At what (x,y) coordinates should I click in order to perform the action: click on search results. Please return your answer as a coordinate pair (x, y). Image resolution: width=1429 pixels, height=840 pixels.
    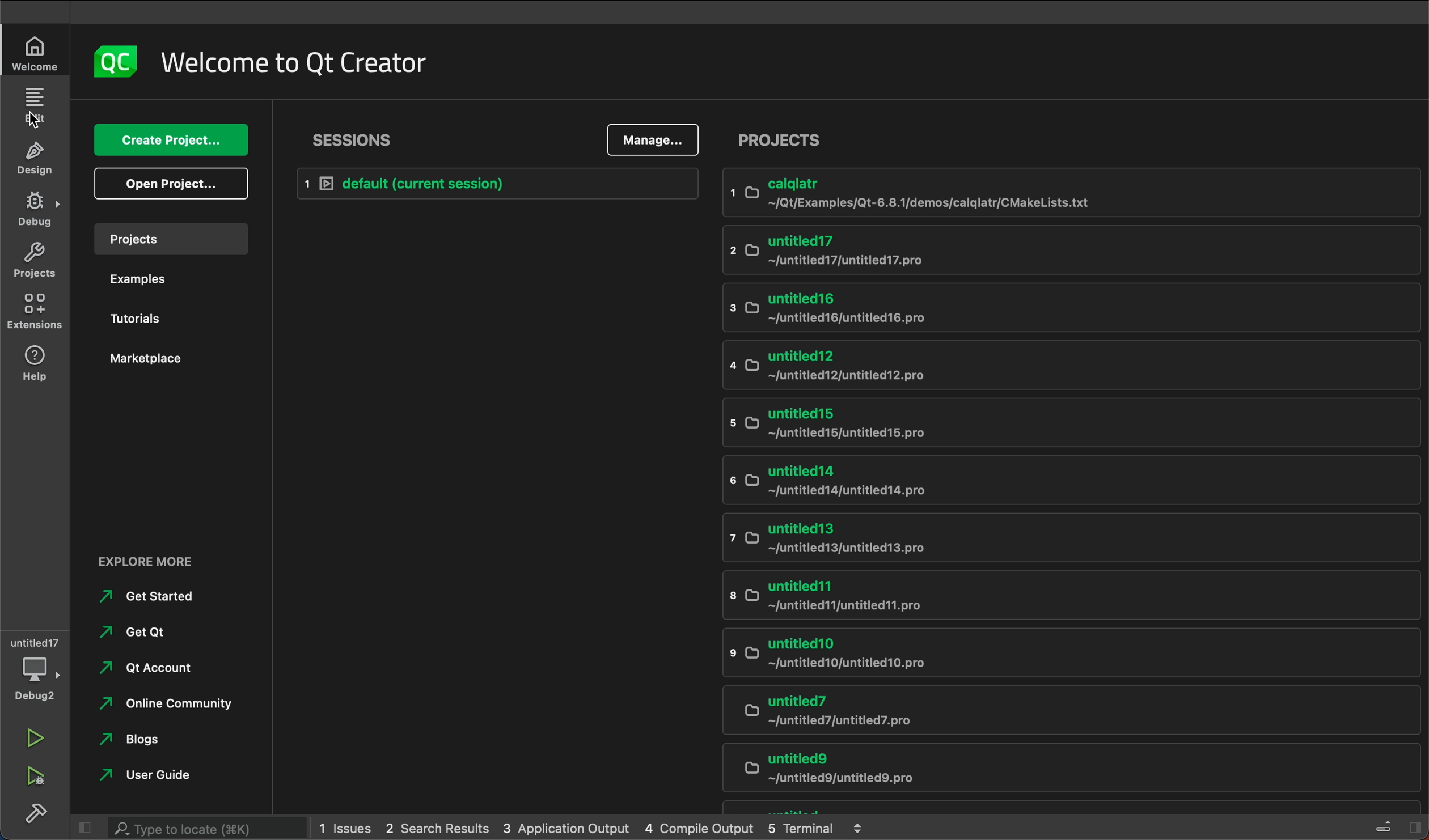
    Looking at the image, I should click on (437, 828).